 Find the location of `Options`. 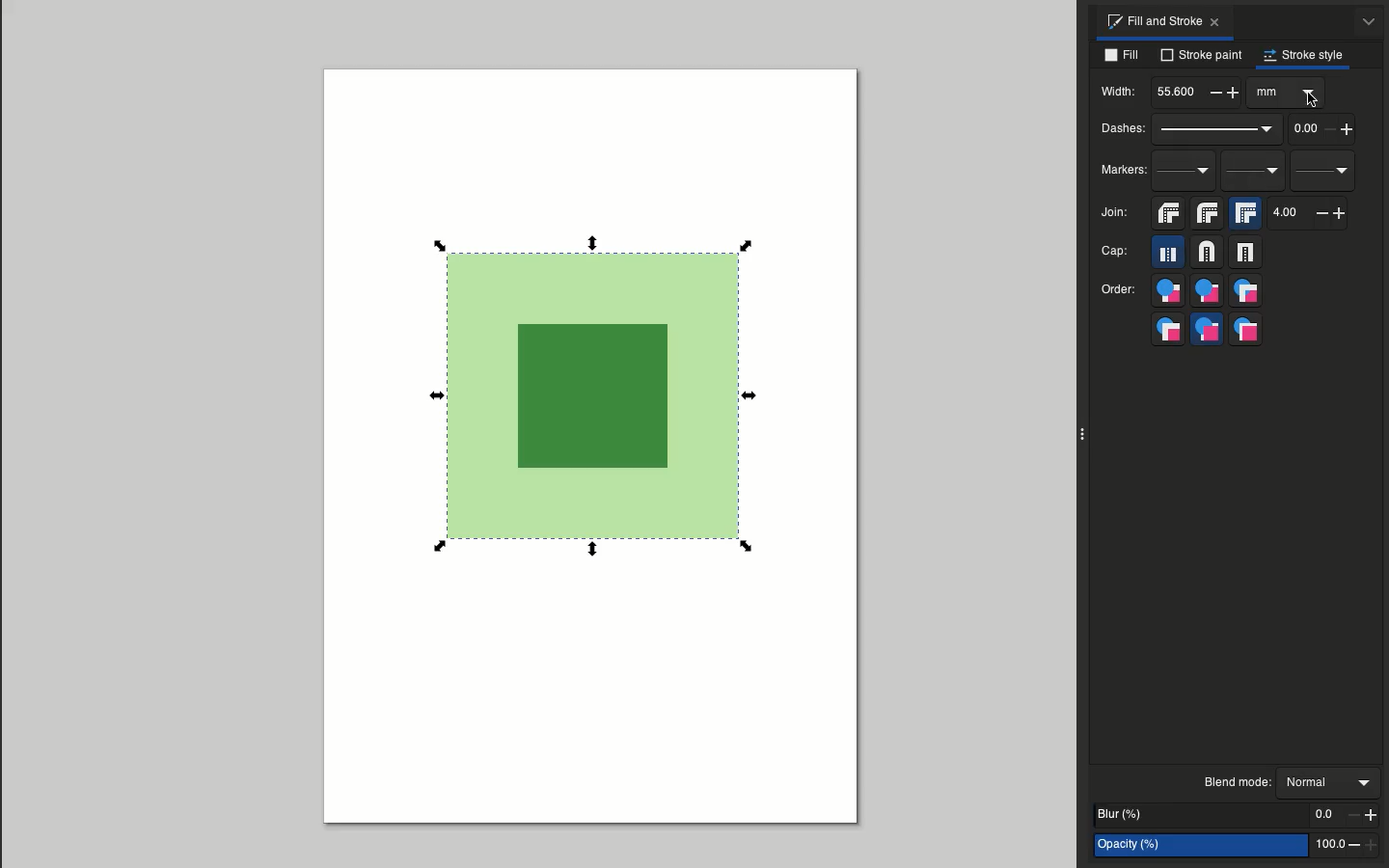

Options is located at coordinates (1287, 92).